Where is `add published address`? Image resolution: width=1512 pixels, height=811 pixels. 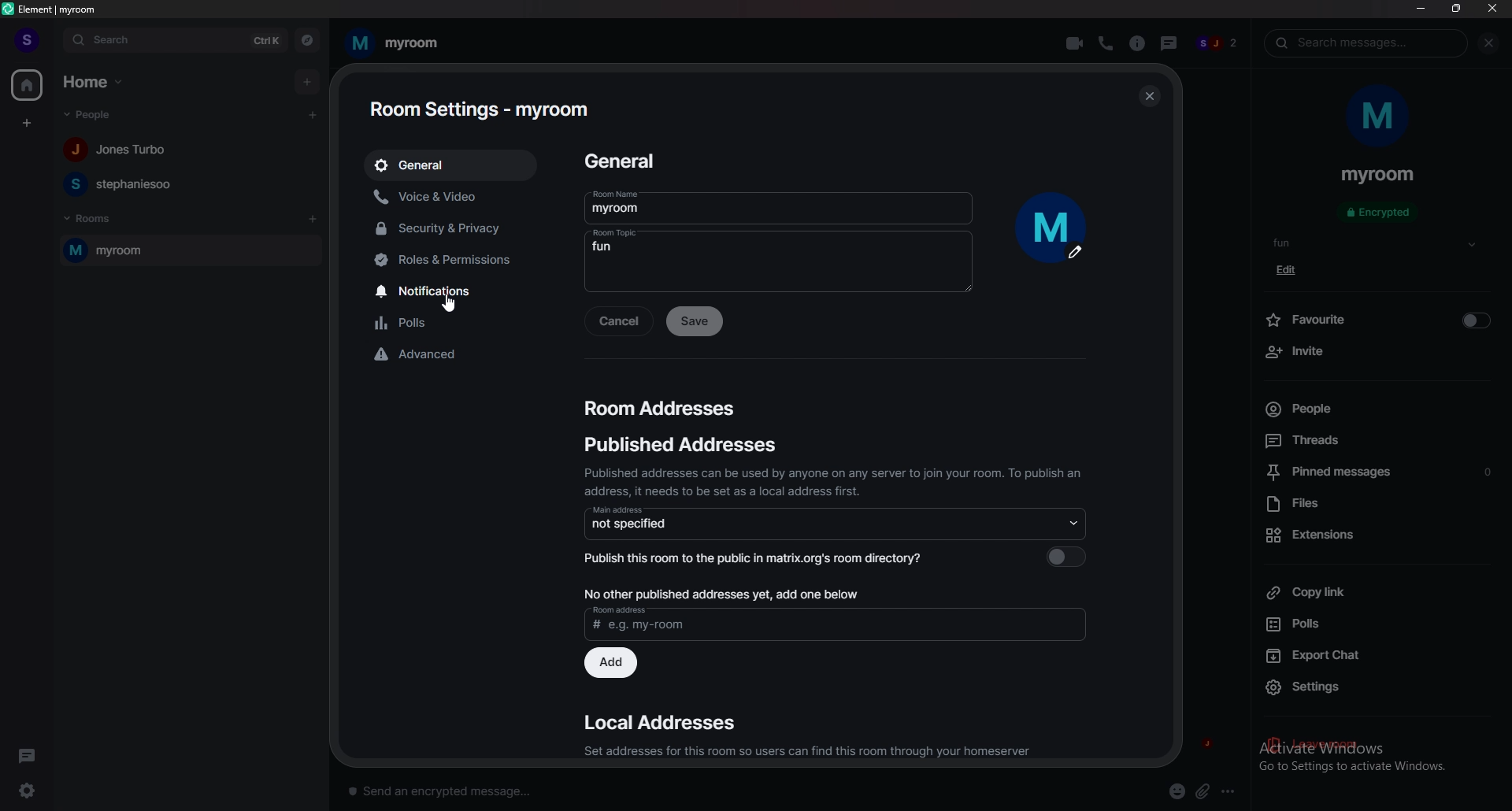
add published address is located at coordinates (836, 611).